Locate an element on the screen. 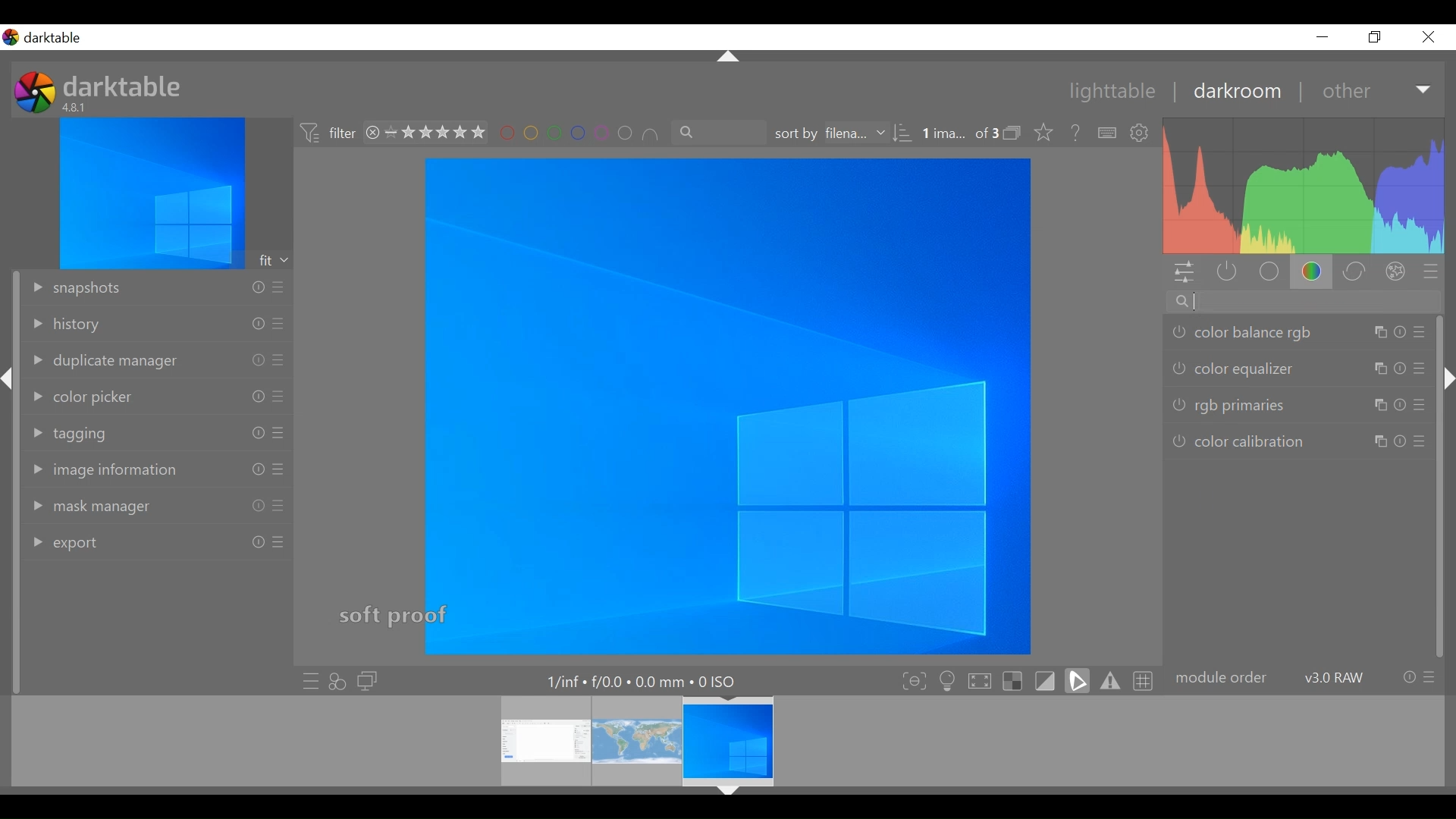 This screenshot has height=819, width=1456. info is located at coordinates (1401, 442).